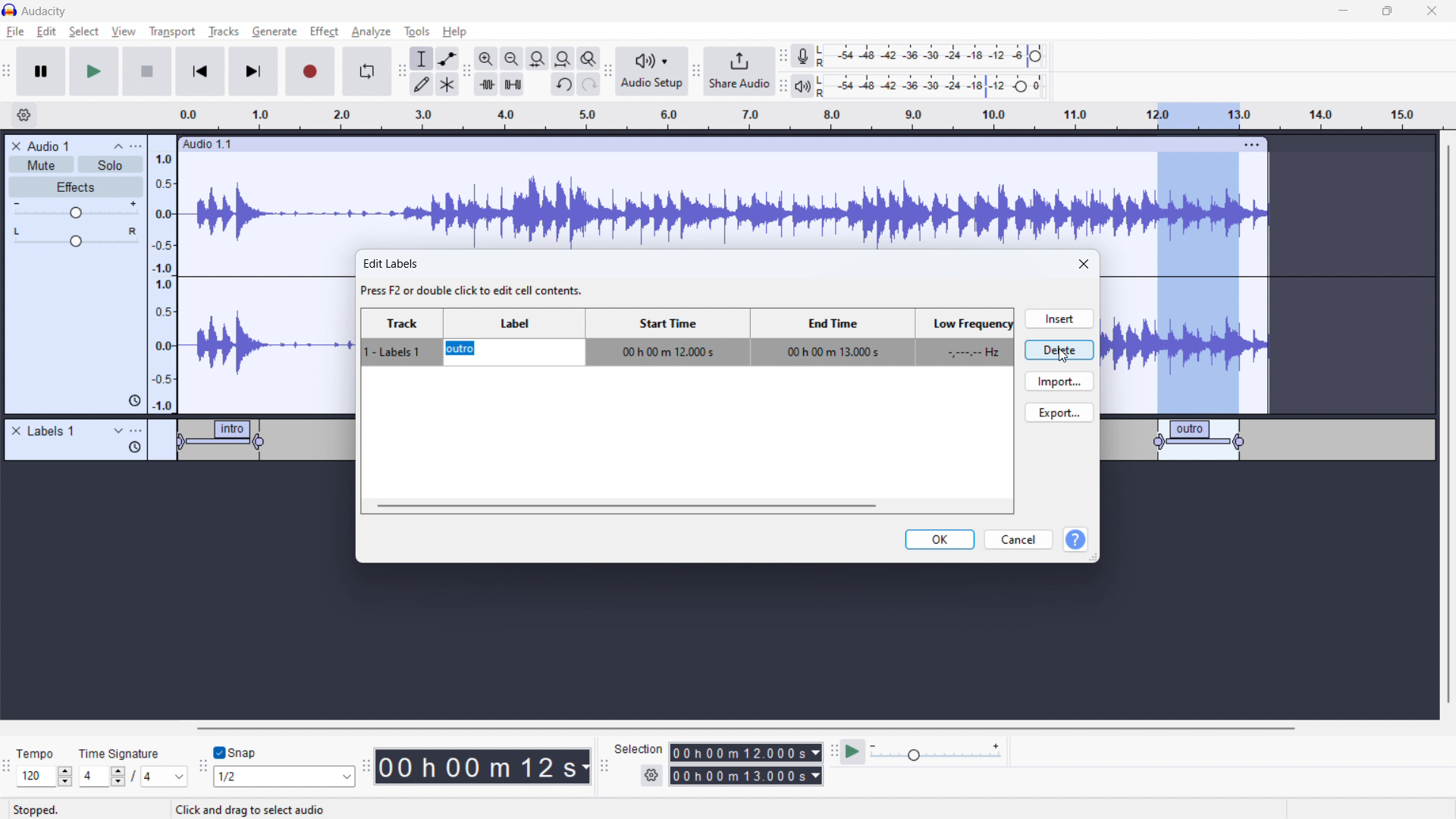 The width and height of the screenshot is (1456, 819). What do you see at coordinates (45, 808) in the screenshot?
I see `stopped.` at bounding box center [45, 808].